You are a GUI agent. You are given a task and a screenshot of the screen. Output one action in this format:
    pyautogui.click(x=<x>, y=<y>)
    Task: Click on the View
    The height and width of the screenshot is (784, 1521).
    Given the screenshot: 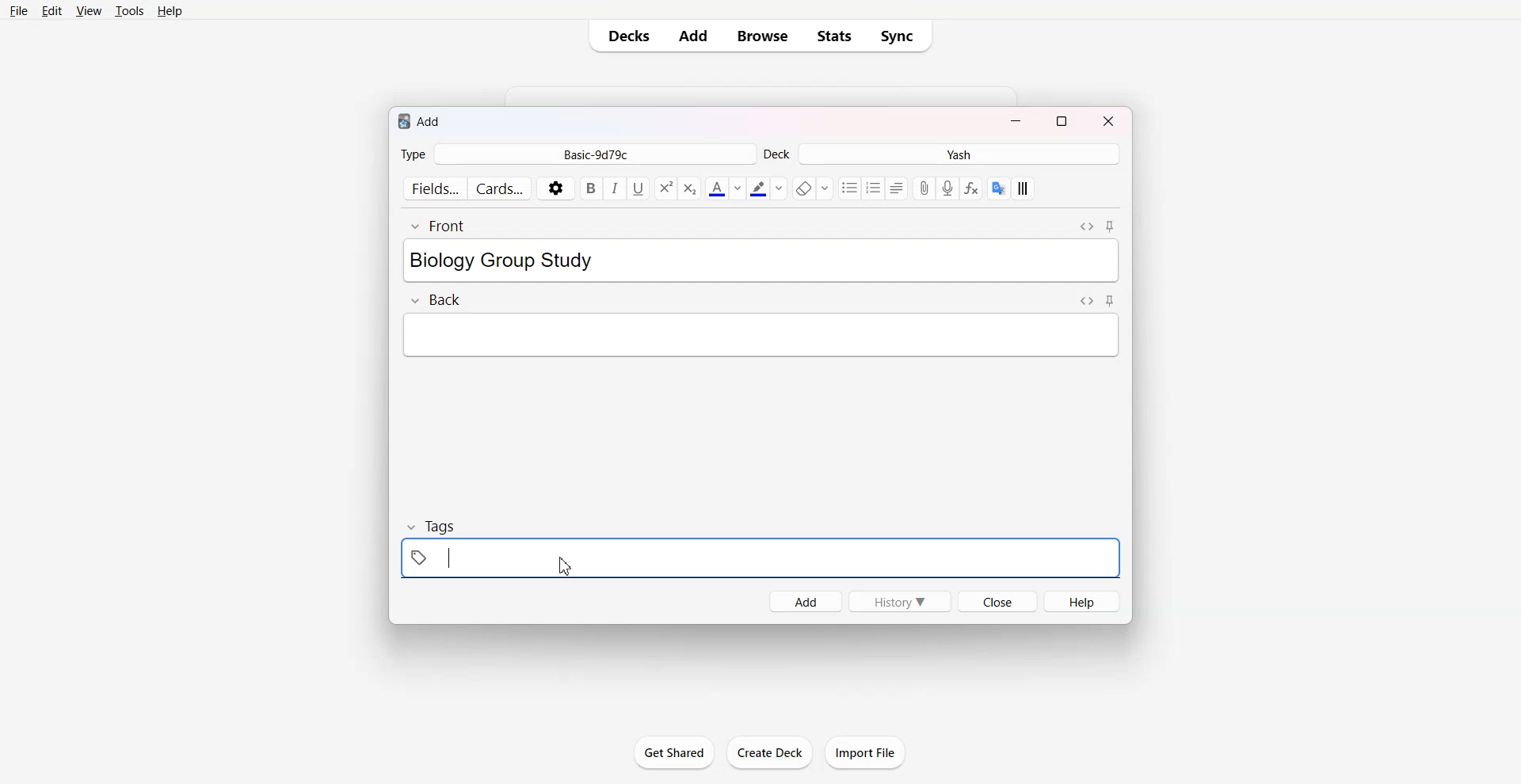 What is the action you would take?
    pyautogui.click(x=89, y=12)
    